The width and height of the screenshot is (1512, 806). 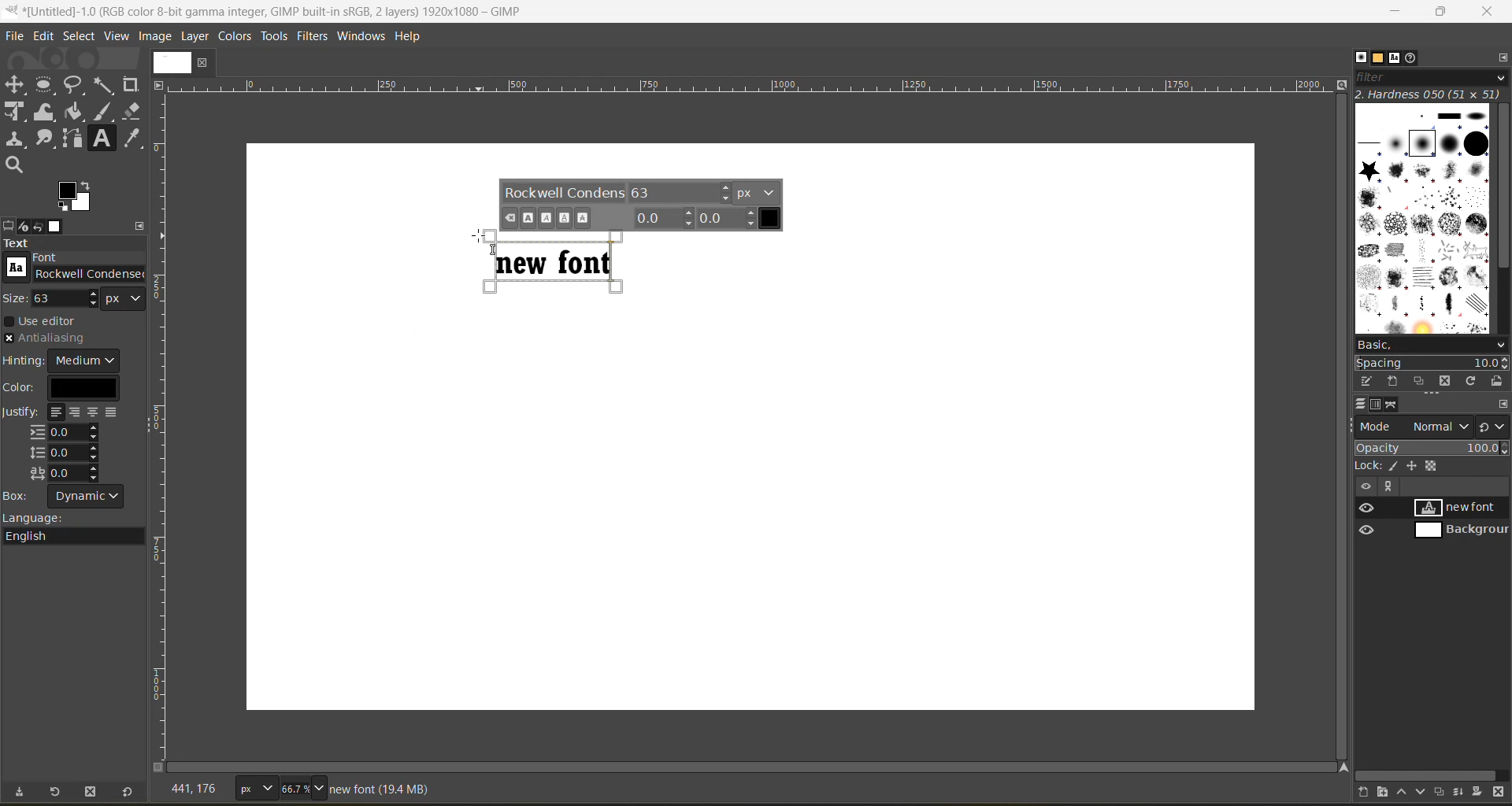 I want to click on file name and app title, so click(x=298, y=14).